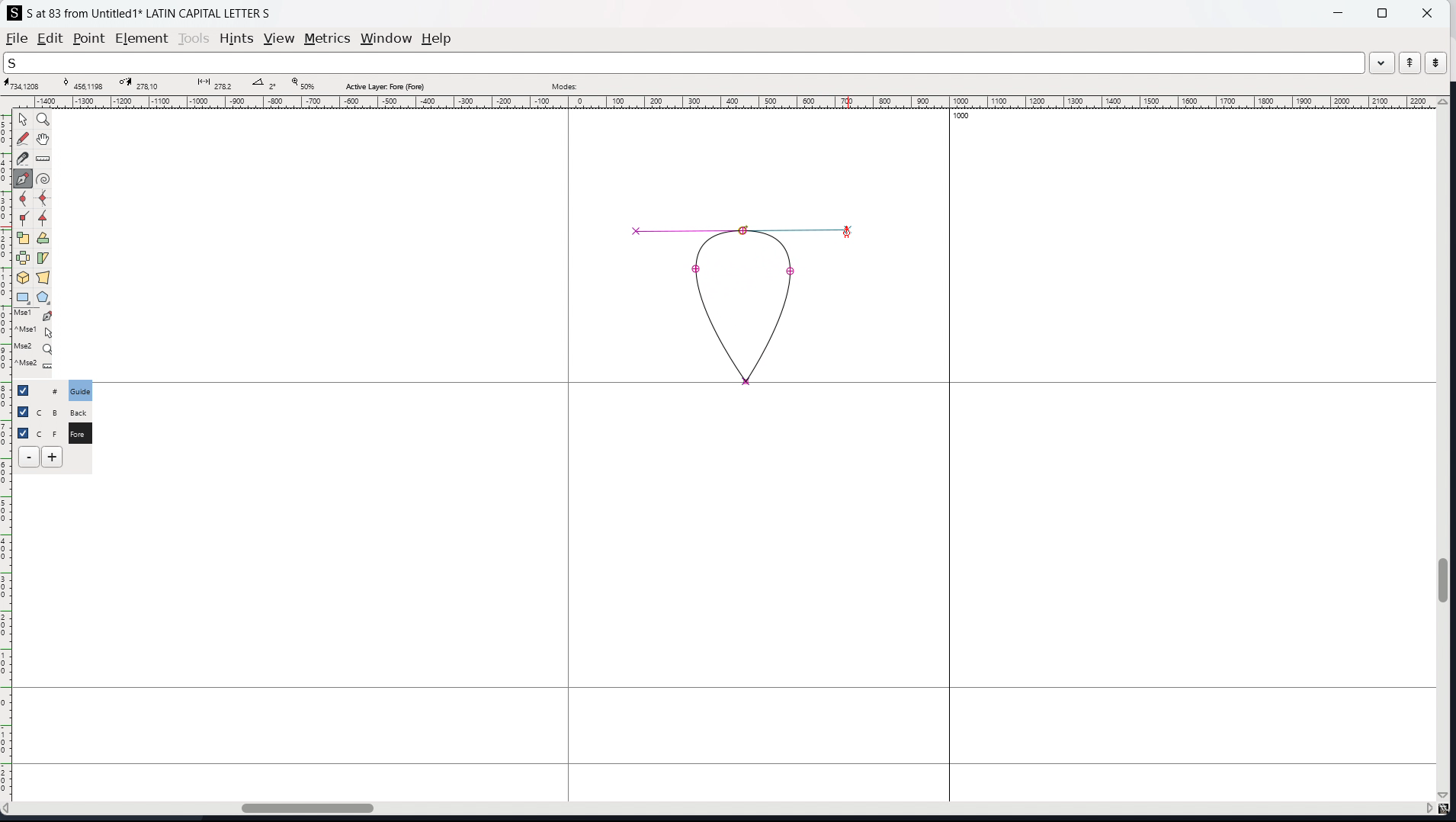 The image size is (1456, 822). I want to click on add a curve point, so click(24, 199).